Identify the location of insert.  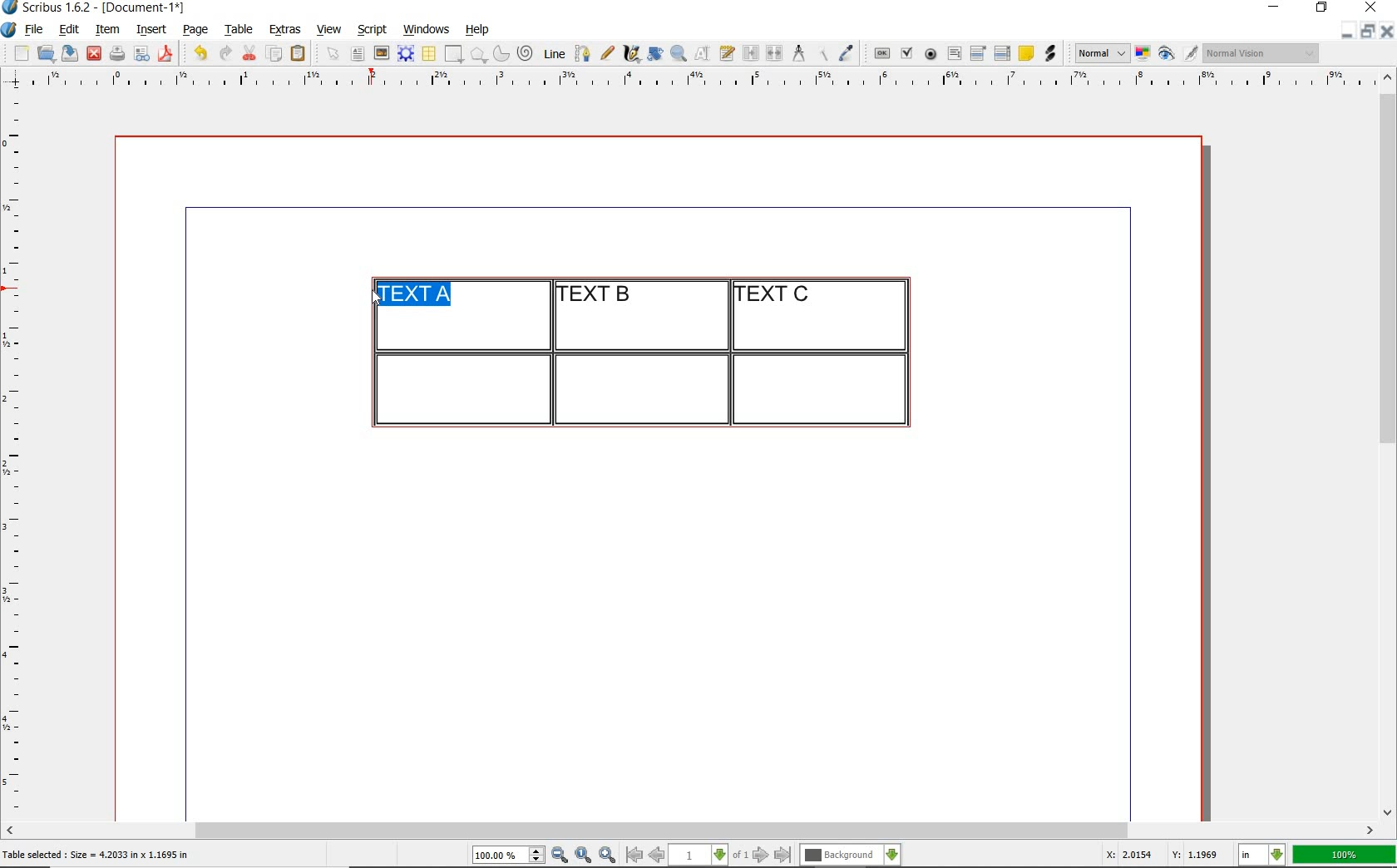
(151, 30).